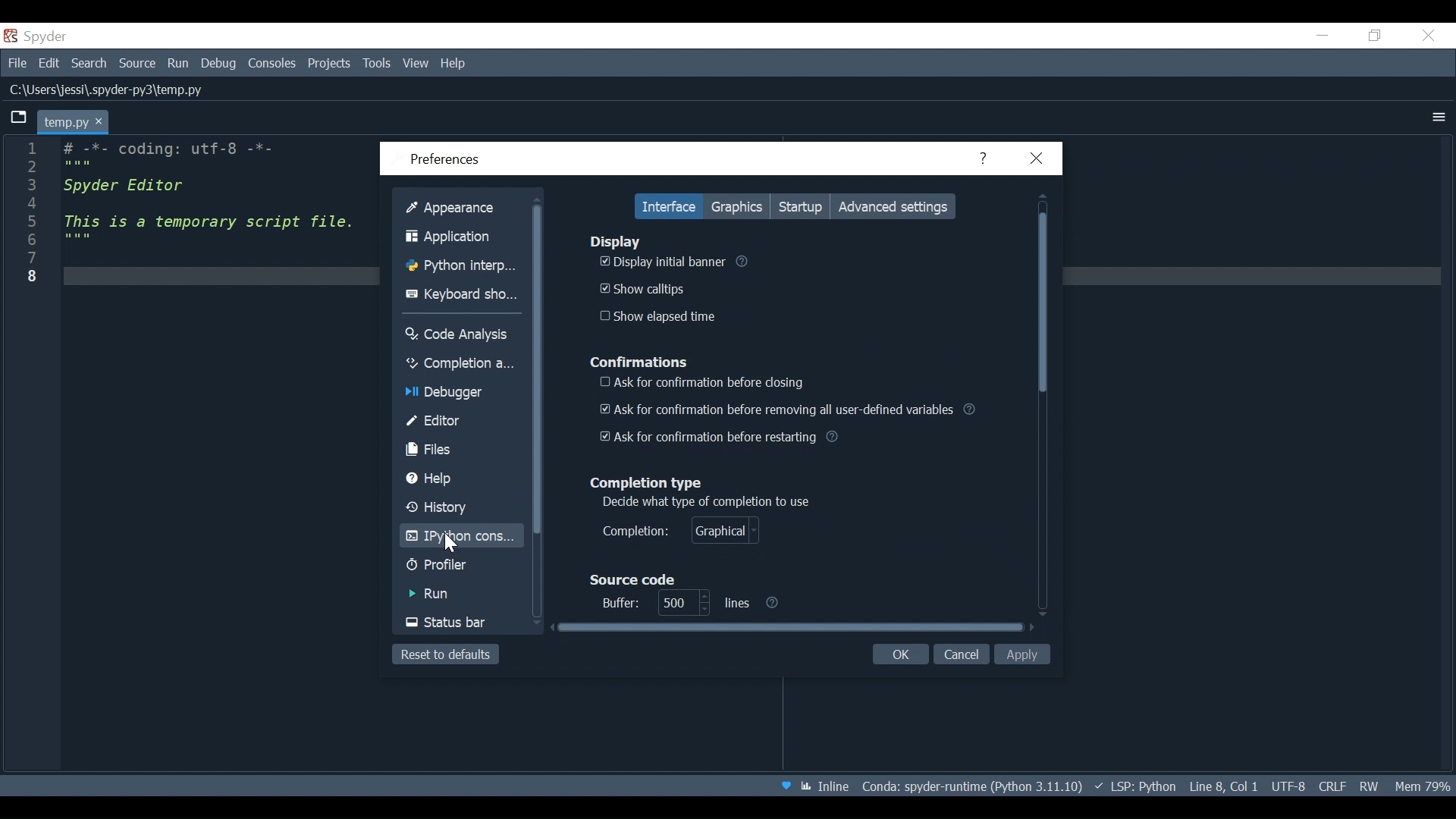 The height and width of the screenshot is (819, 1456). What do you see at coordinates (661, 262) in the screenshot?
I see `(un)check display initial banner` at bounding box center [661, 262].